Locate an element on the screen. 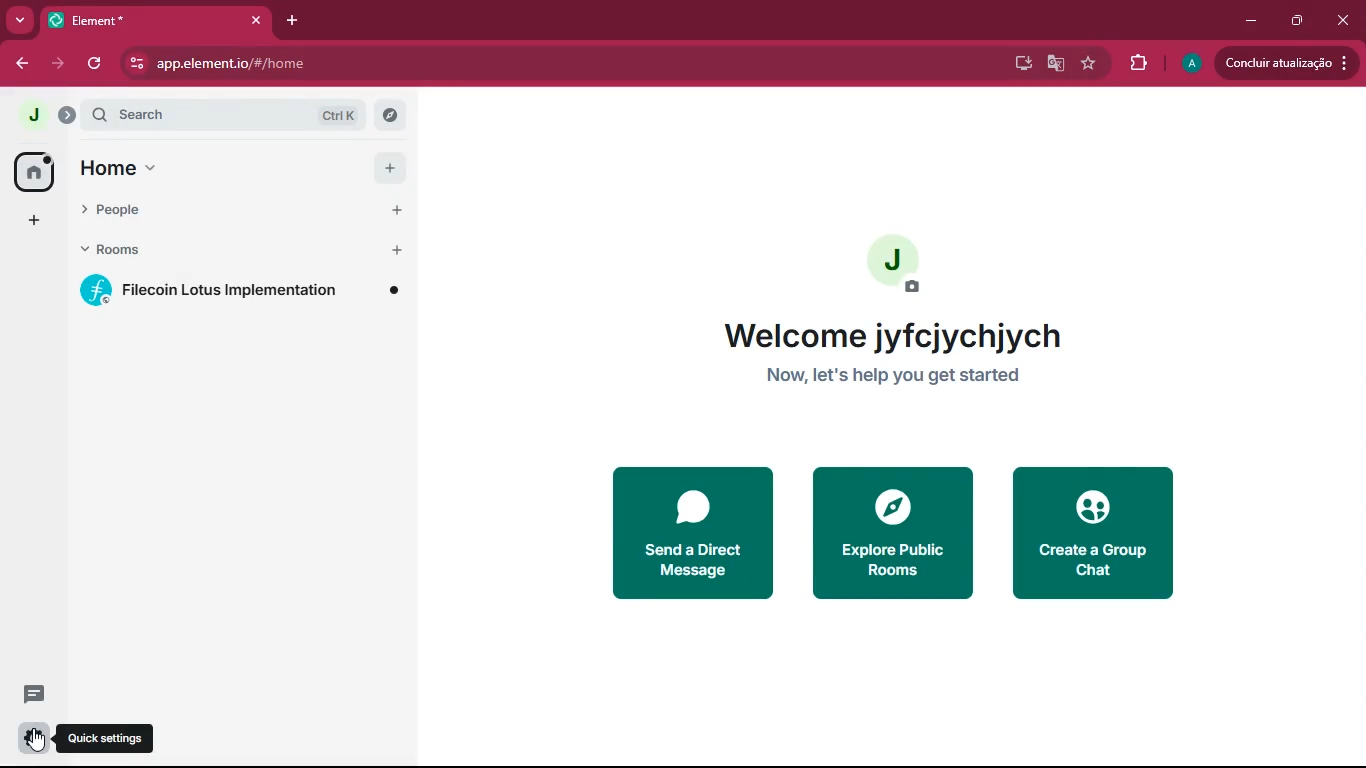  desktop is located at coordinates (1021, 63).